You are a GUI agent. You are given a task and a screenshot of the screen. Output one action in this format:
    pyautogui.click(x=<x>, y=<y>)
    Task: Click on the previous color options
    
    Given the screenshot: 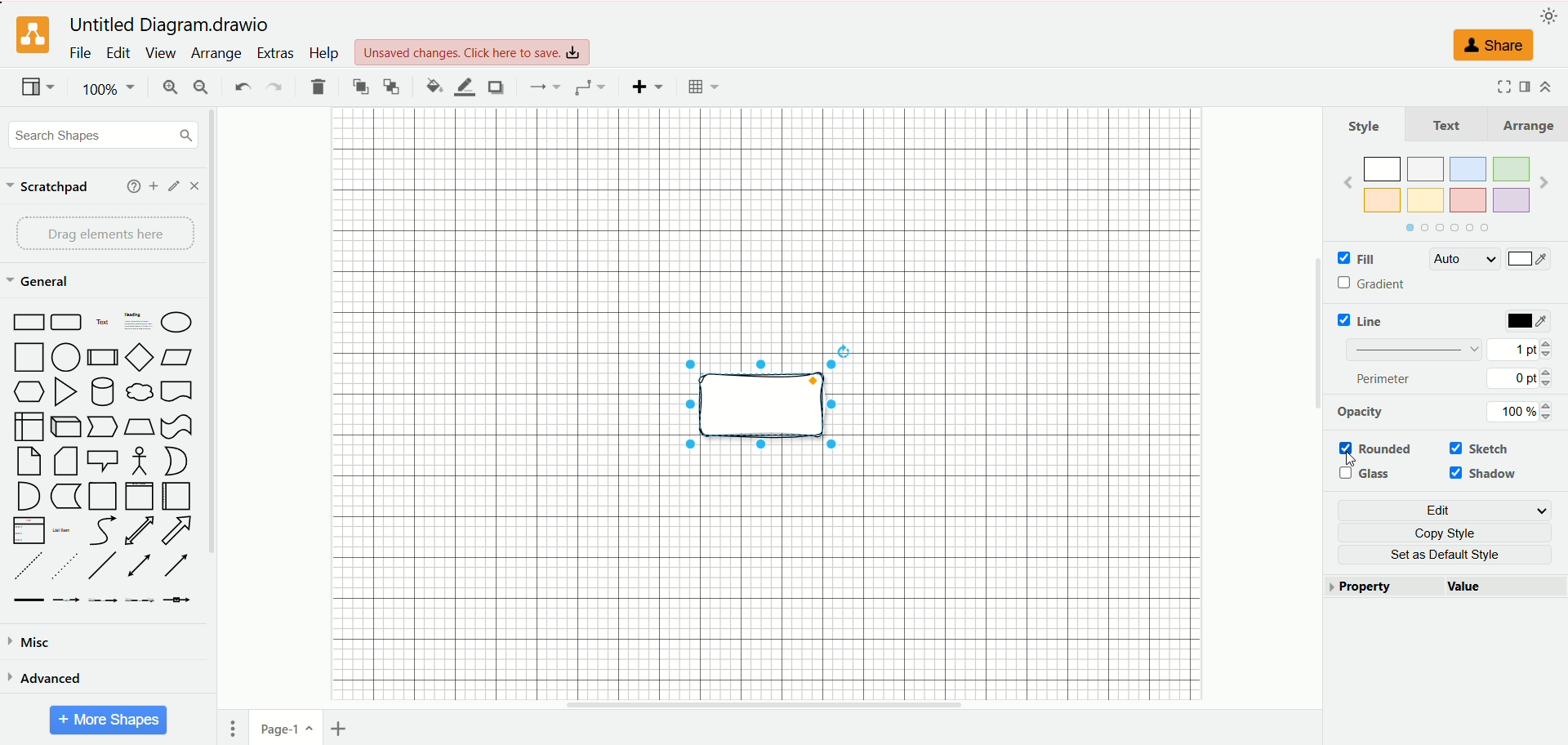 What is the action you would take?
    pyautogui.click(x=1347, y=182)
    